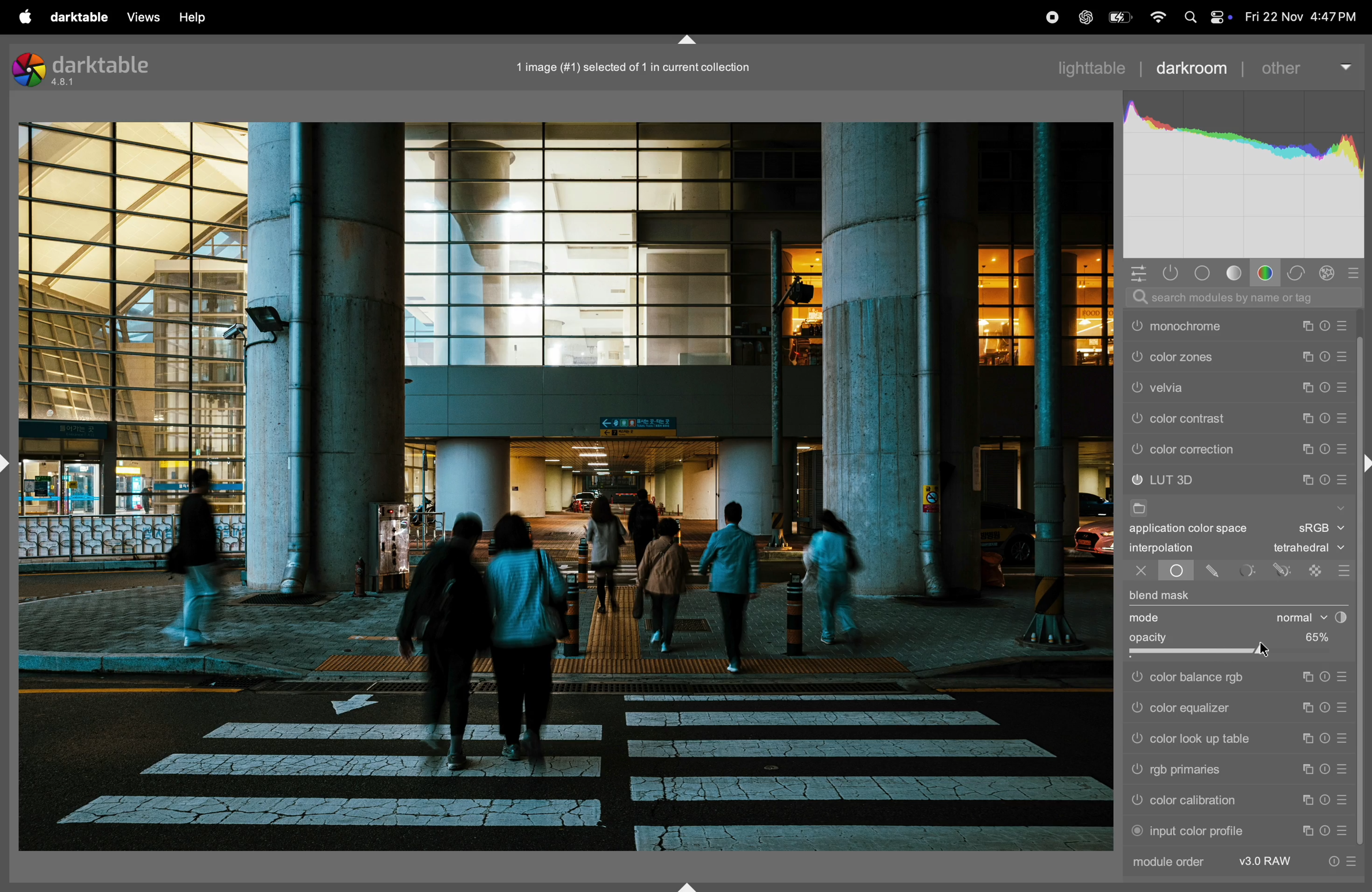 The width and height of the screenshot is (1372, 892). I want to click on reset, so click(1327, 710).